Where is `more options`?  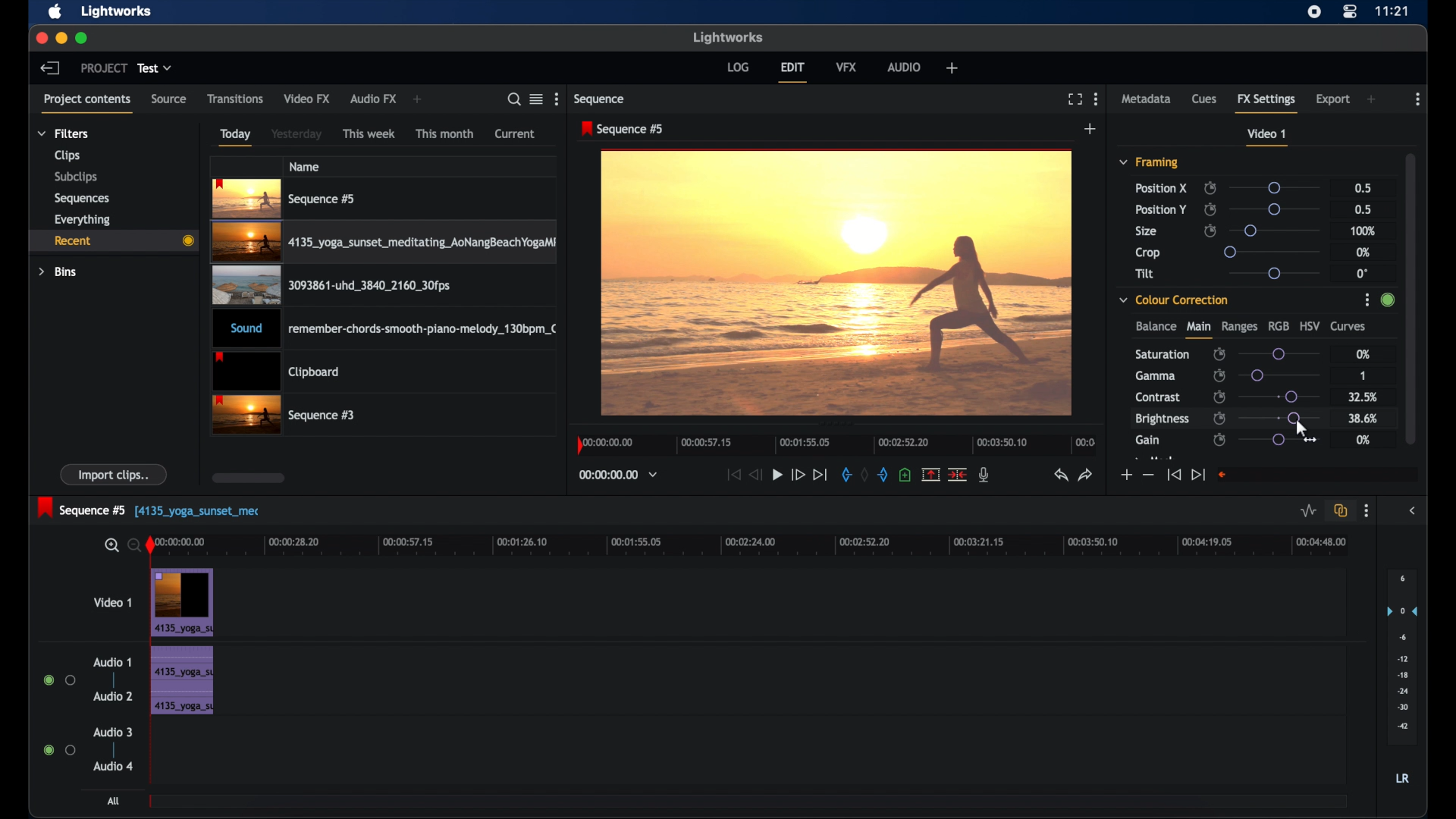 more options is located at coordinates (1418, 99).